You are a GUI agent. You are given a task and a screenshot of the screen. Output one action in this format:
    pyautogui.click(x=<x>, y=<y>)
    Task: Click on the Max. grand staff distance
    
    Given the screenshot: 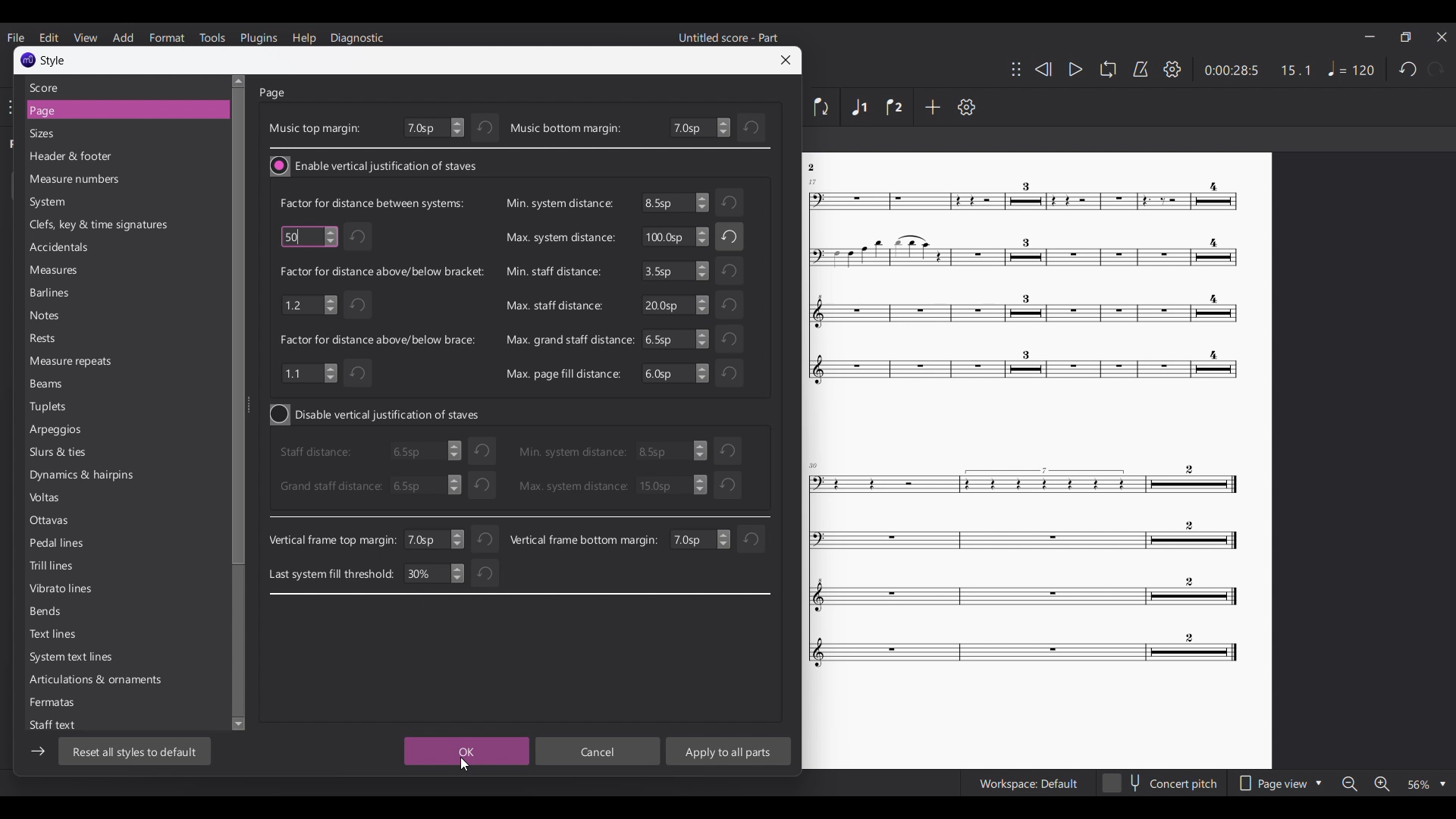 What is the action you would take?
    pyautogui.click(x=570, y=339)
    